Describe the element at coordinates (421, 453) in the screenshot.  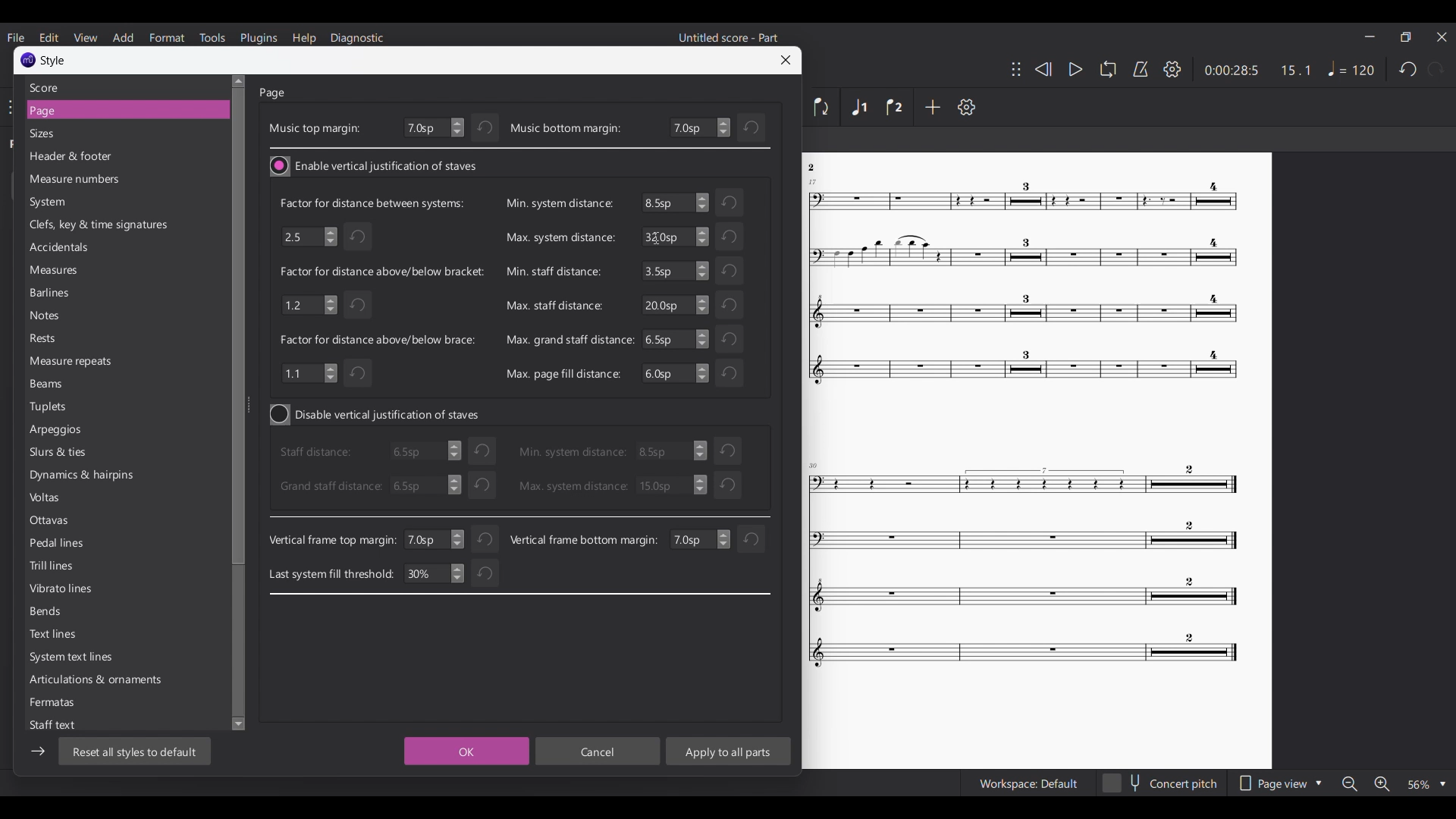
I see `6.5sp` at that location.